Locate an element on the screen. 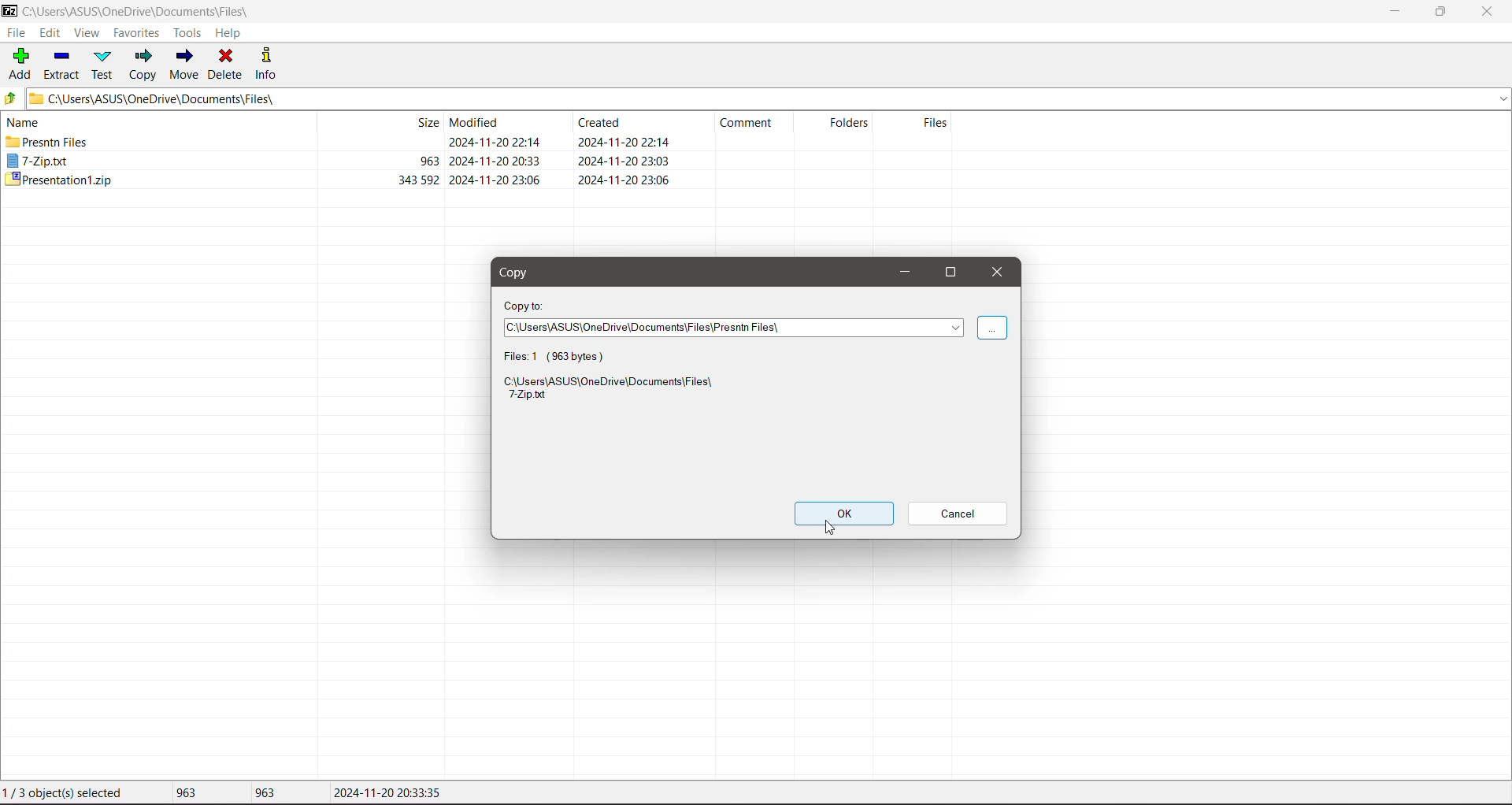  Selected Folder Location Path is located at coordinates (733, 328).